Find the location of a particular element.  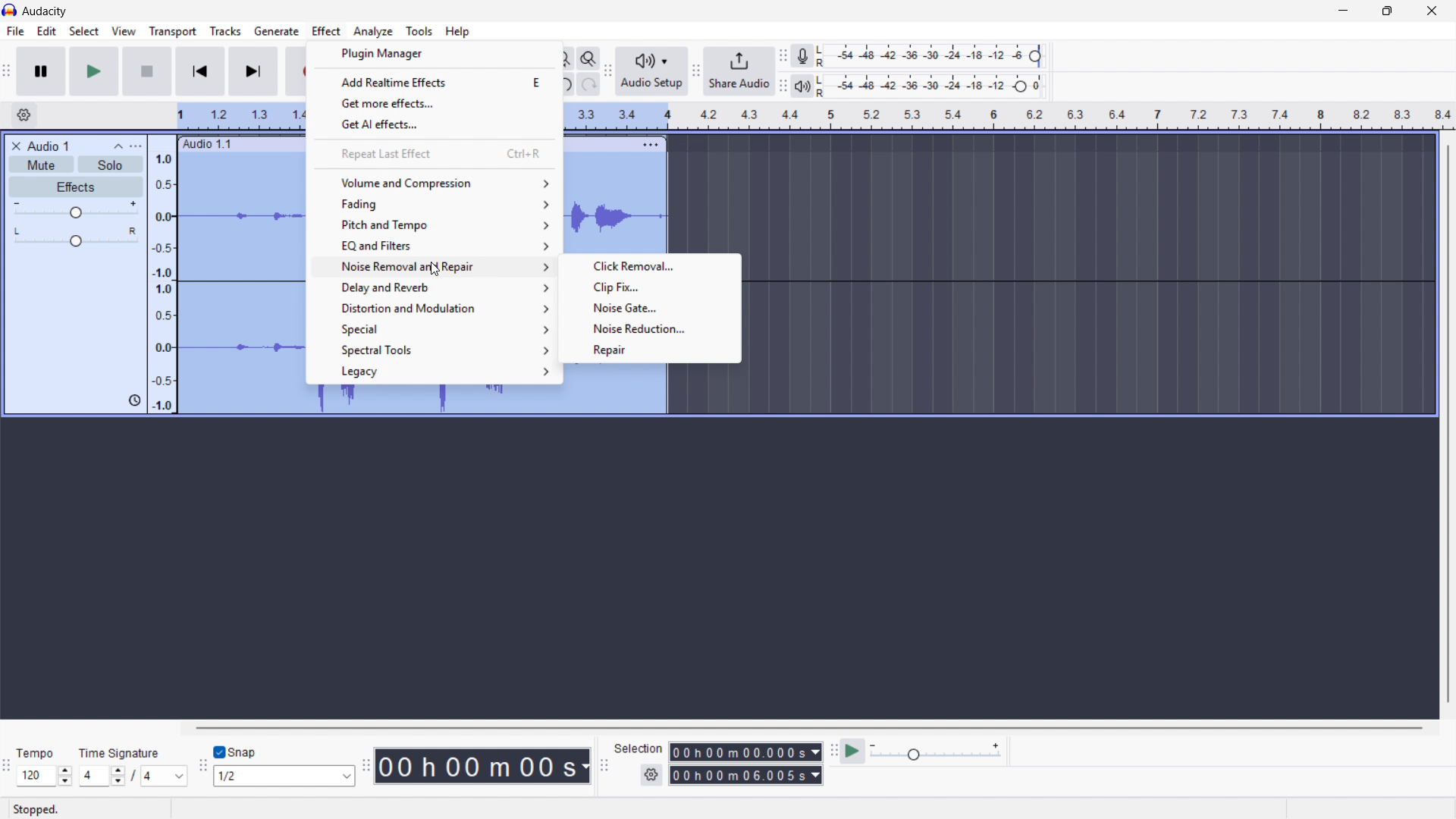

Clip fix is located at coordinates (648, 285).